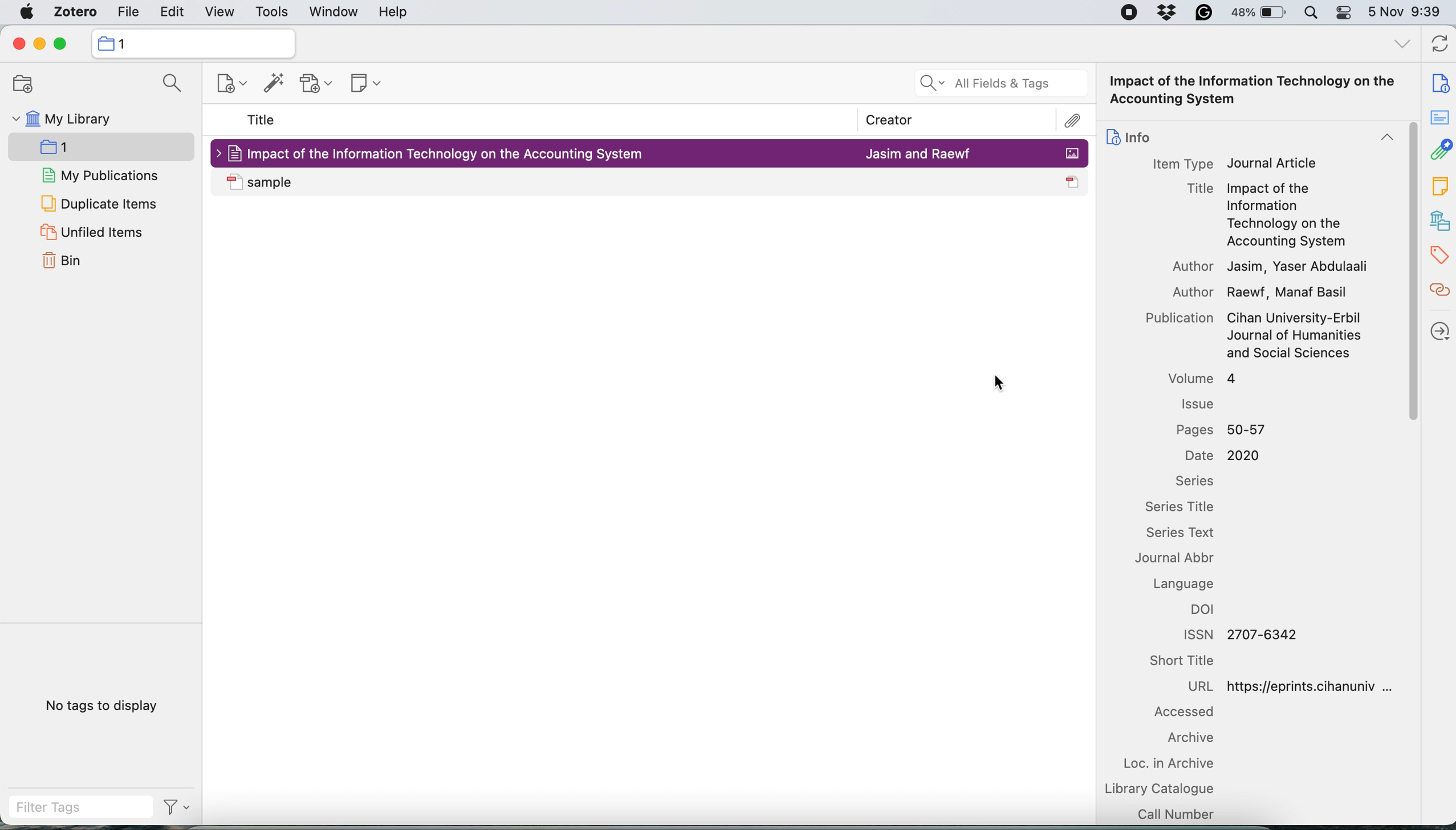 The image size is (1456, 830). Describe the element at coordinates (1202, 610) in the screenshot. I see `doi` at that location.